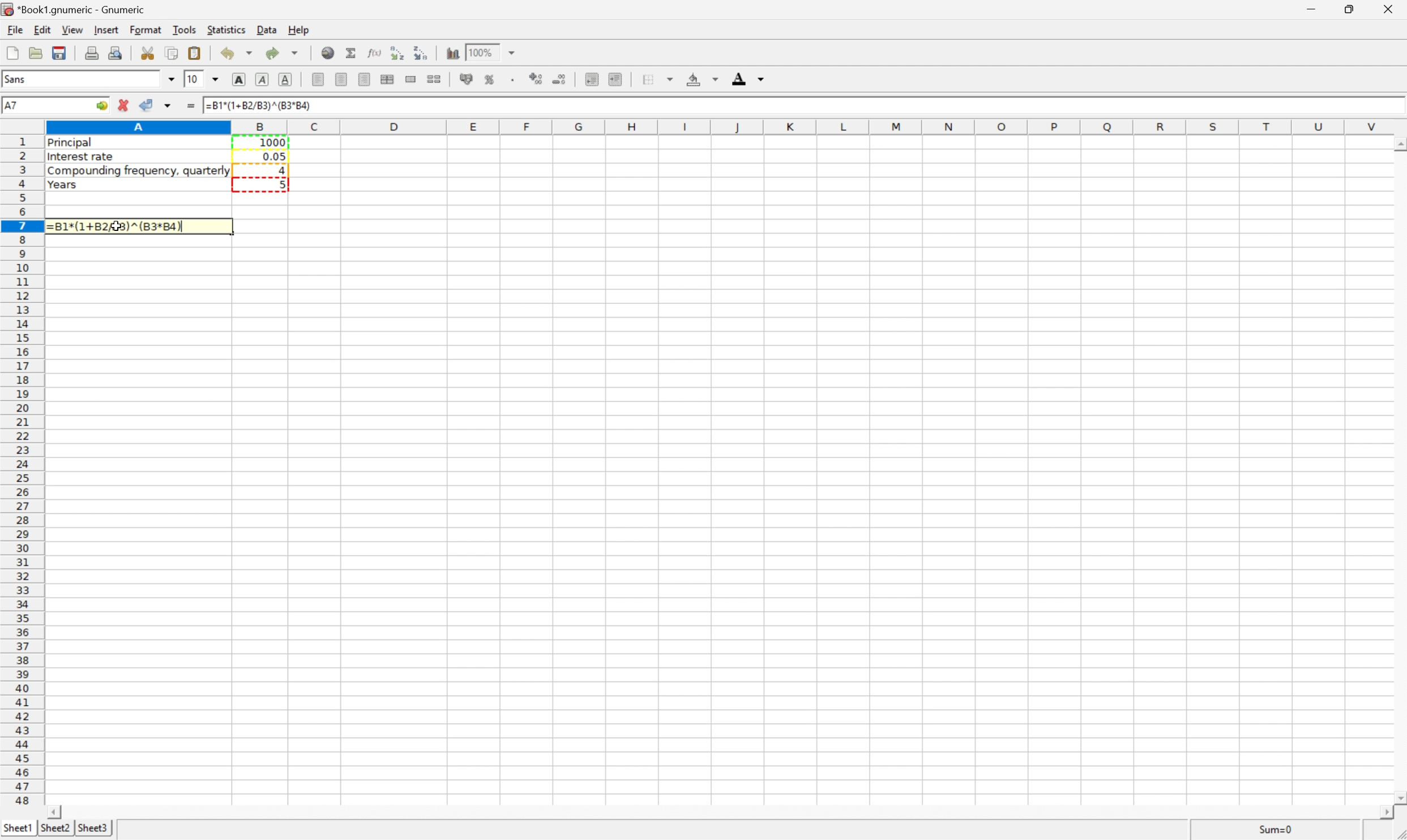 Image resolution: width=1407 pixels, height=840 pixels. Describe the element at coordinates (482, 52) in the screenshot. I see `100%` at that location.